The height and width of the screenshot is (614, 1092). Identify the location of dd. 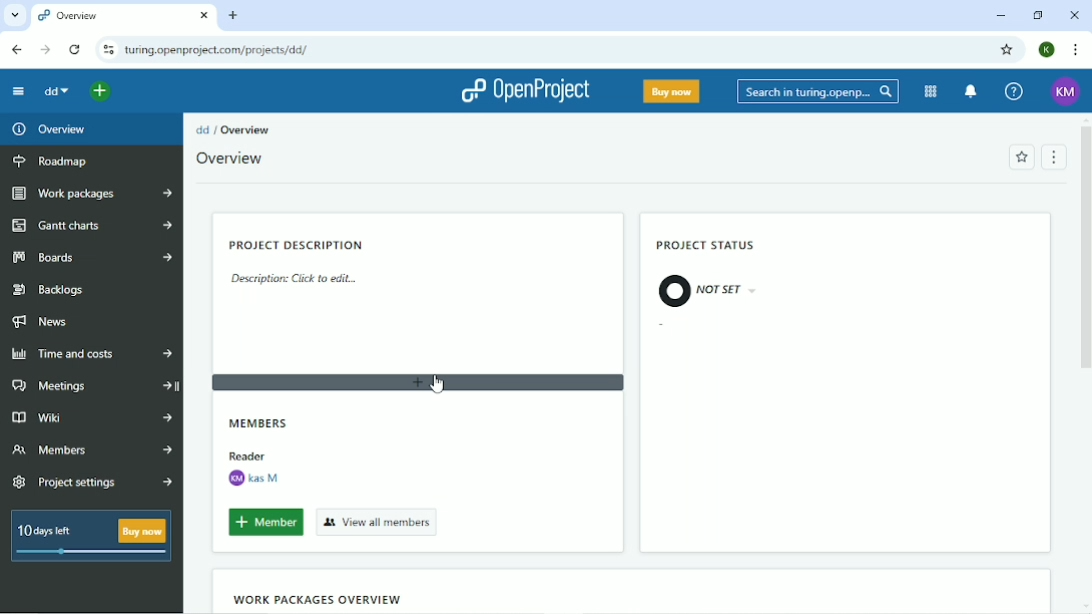
(202, 130).